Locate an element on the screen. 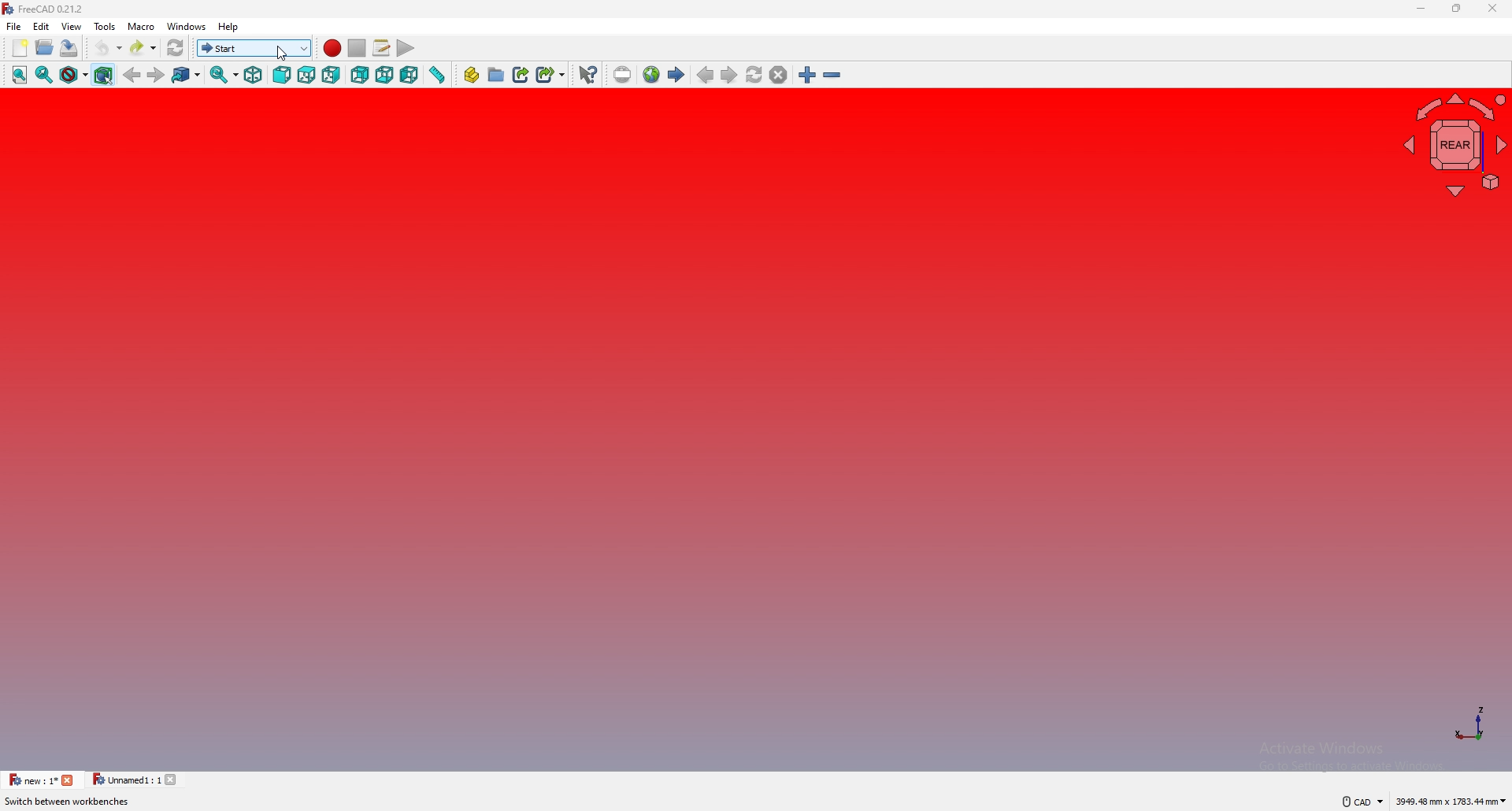 This screenshot has height=811, width=1512. bottom is located at coordinates (385, 75).